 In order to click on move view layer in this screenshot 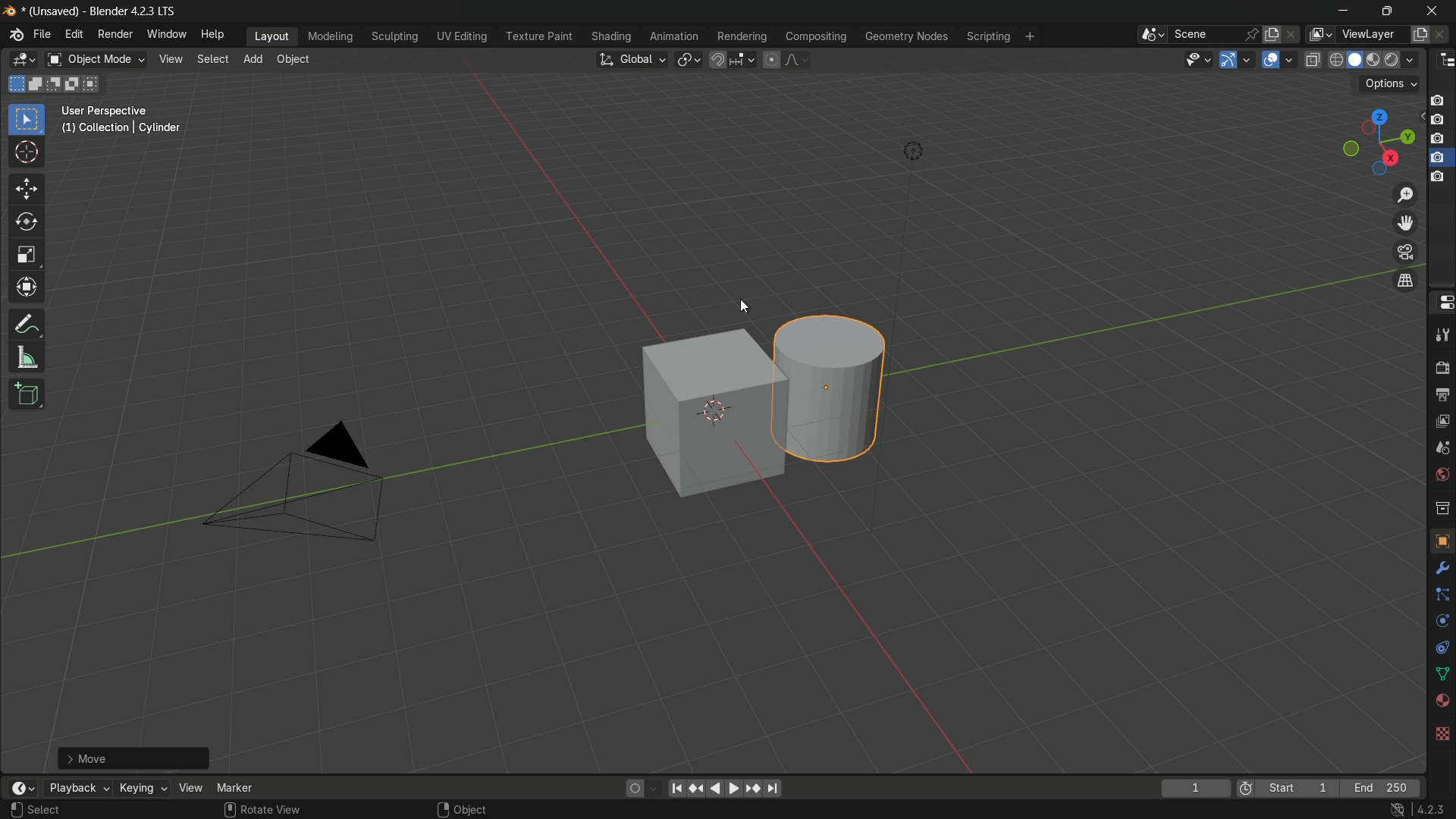, I will do `click(1406, 224)`.